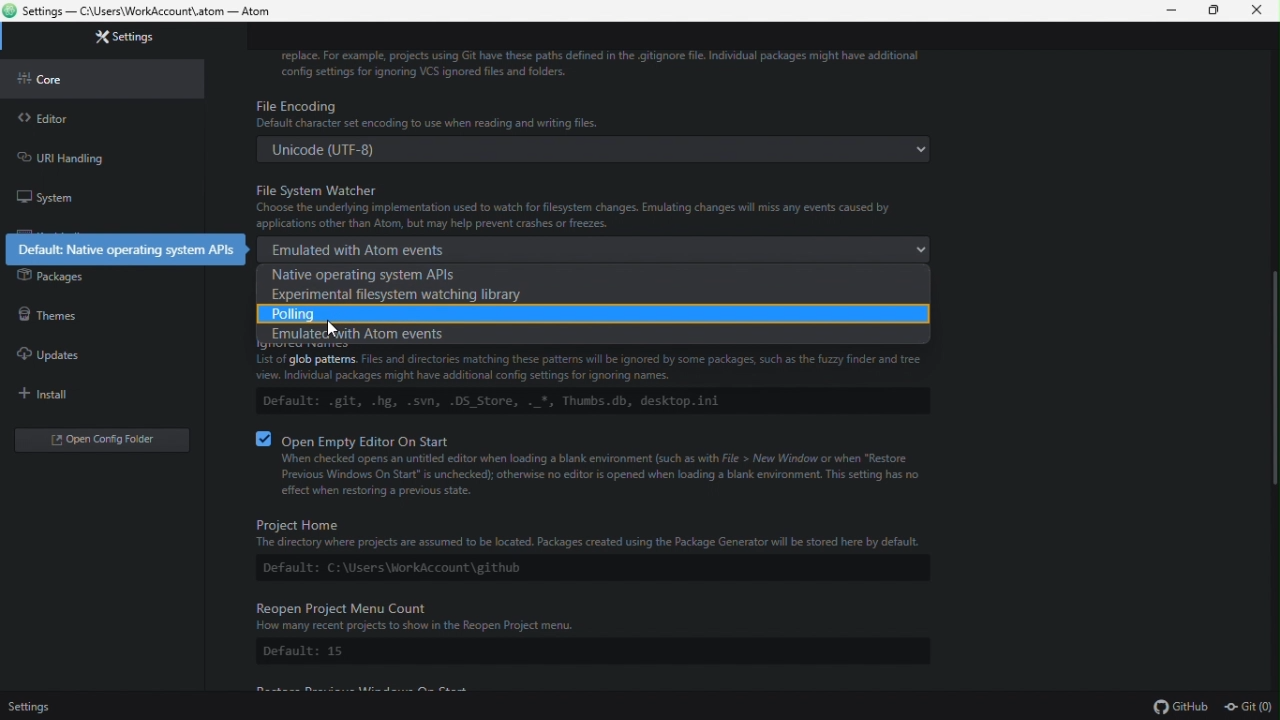 The image size is (1280, 720). Describe the element at coordinates (1184, 708) in the screenshot. I see `github` at that location.